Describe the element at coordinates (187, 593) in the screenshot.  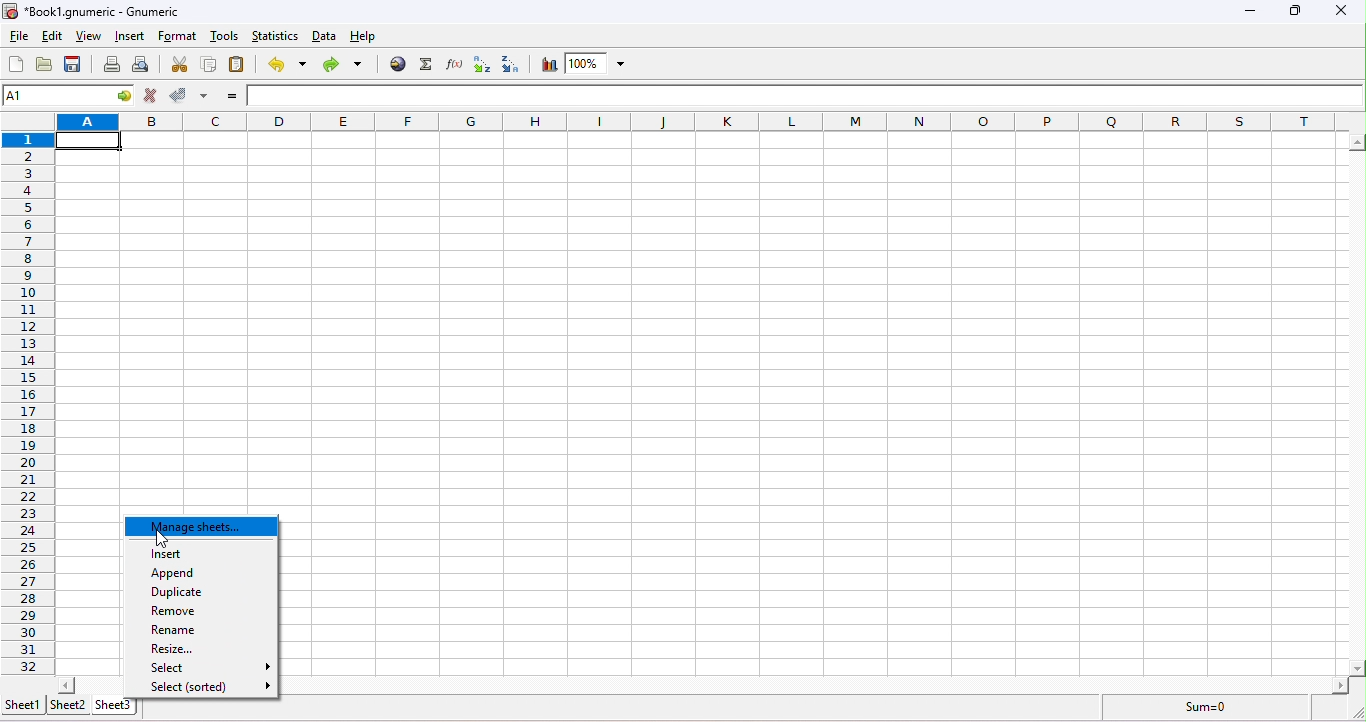
I see `duplicate` at that location.